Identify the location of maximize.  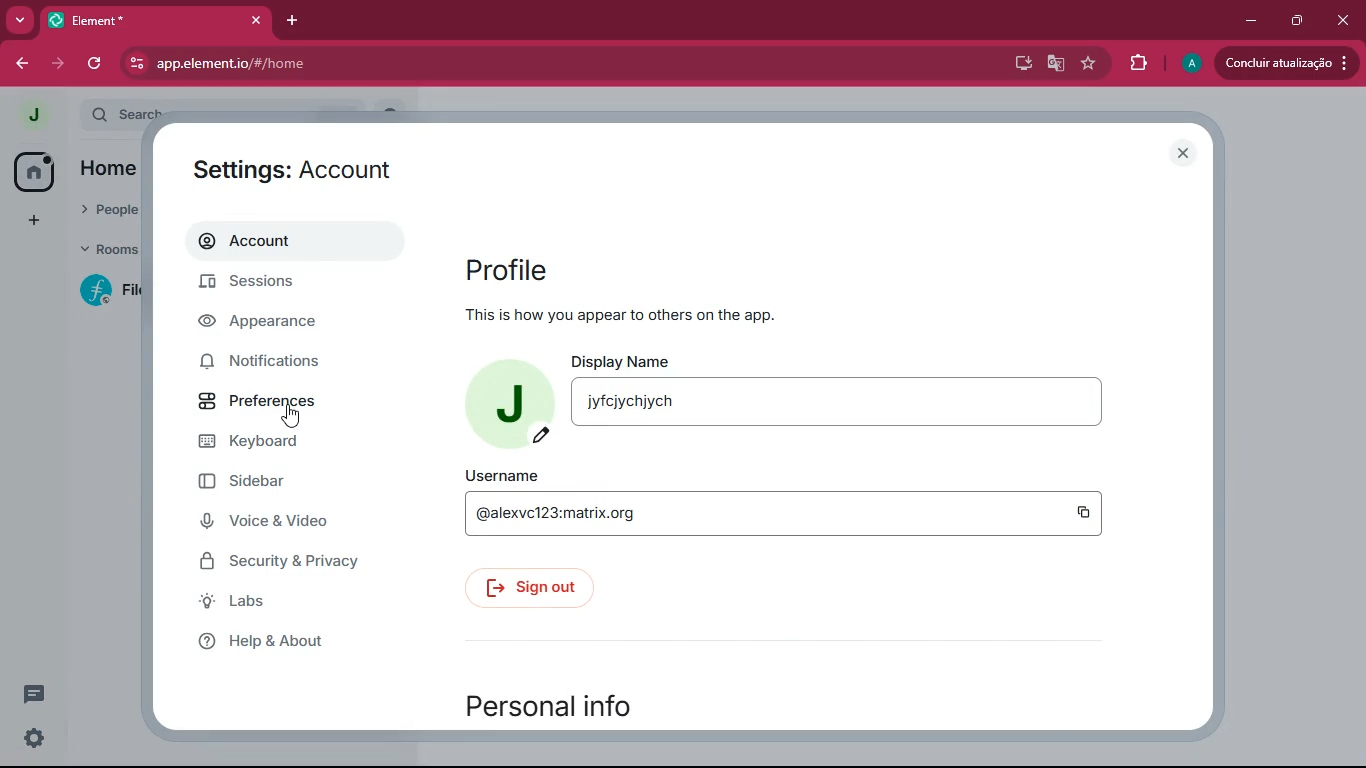
(1293, 21).